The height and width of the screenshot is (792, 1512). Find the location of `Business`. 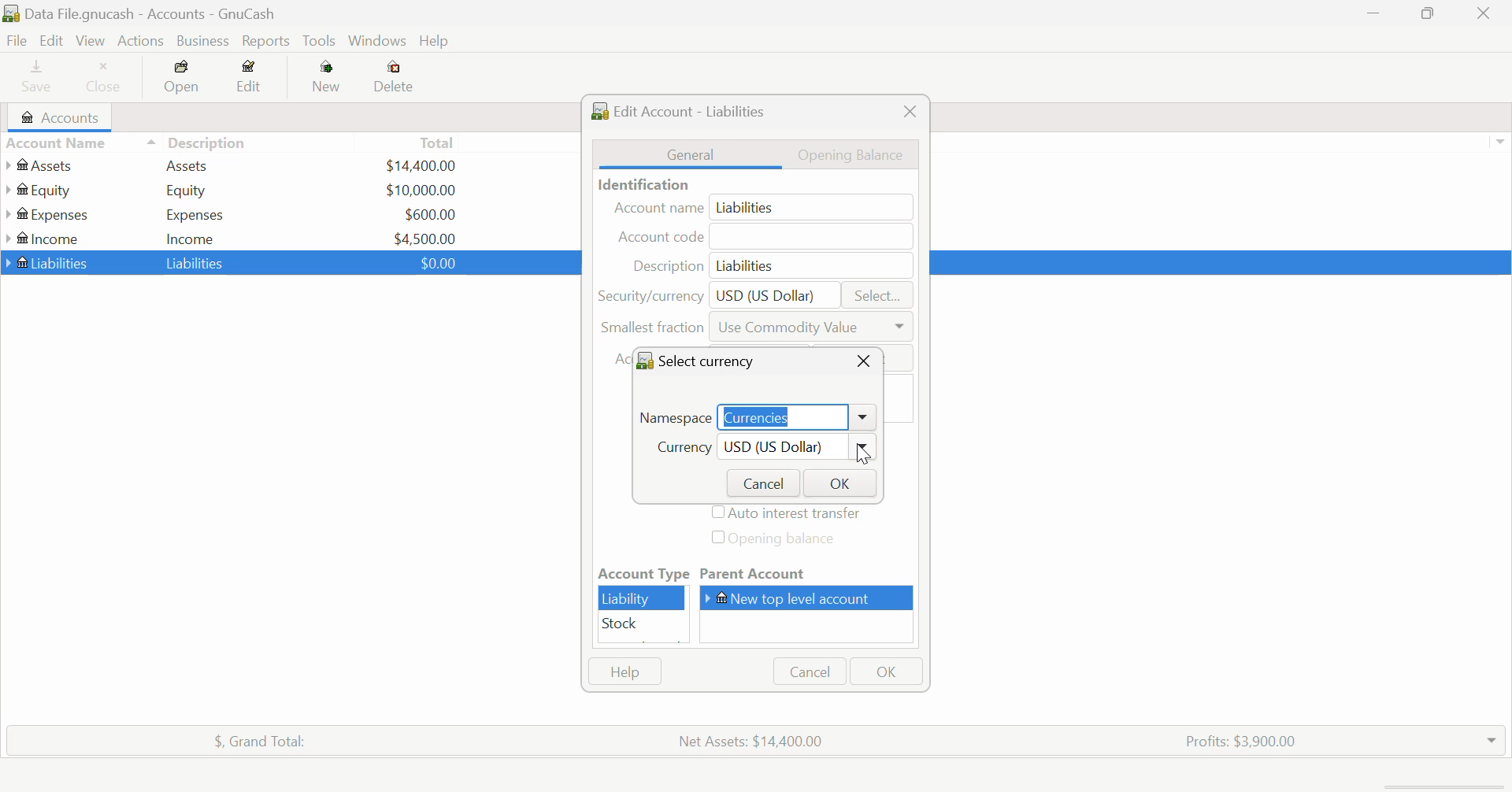

Business is located at coordinates (203, 41).